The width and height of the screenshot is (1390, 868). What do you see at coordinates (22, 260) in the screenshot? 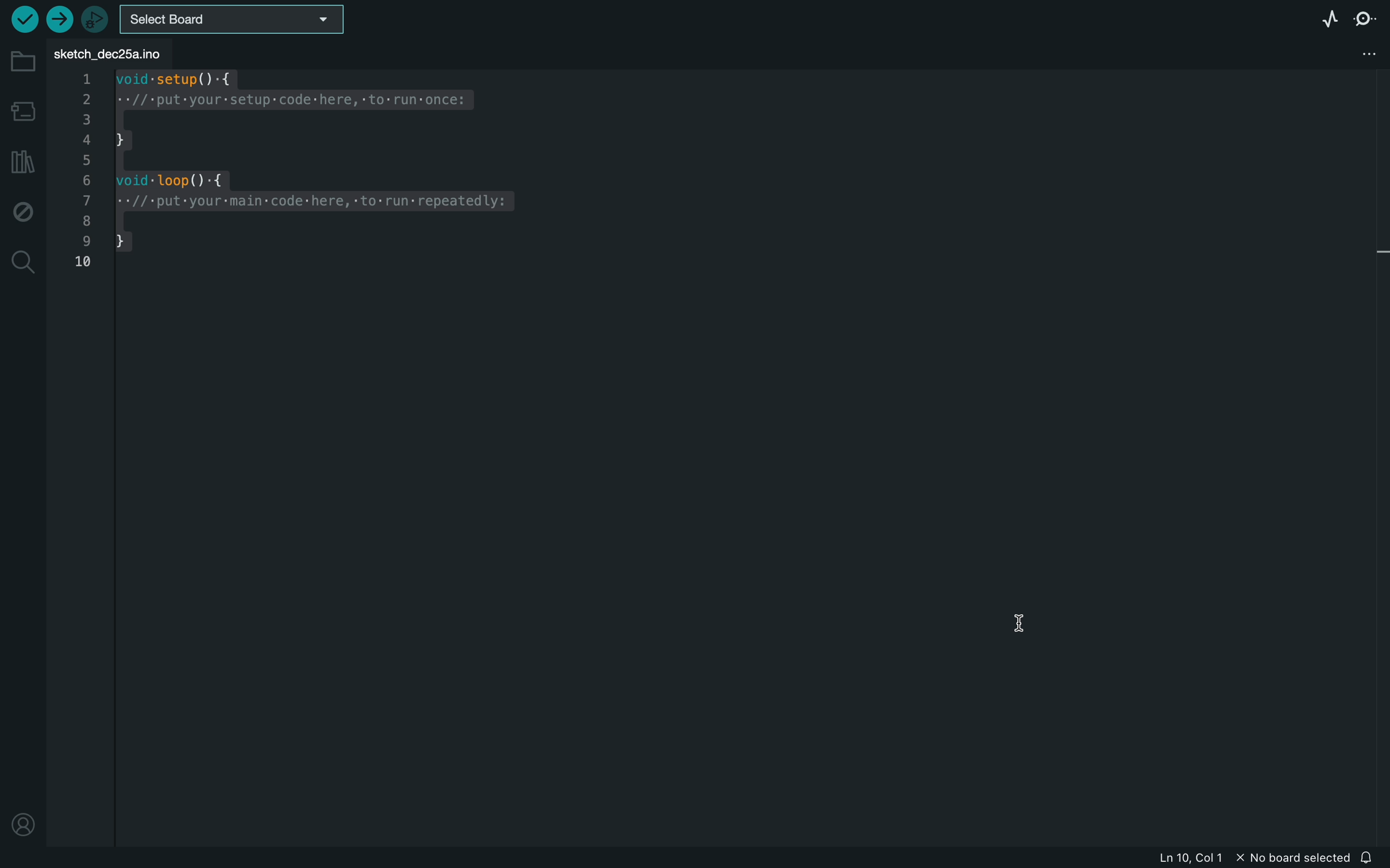
I see `search` at bounding box center [22, 260].